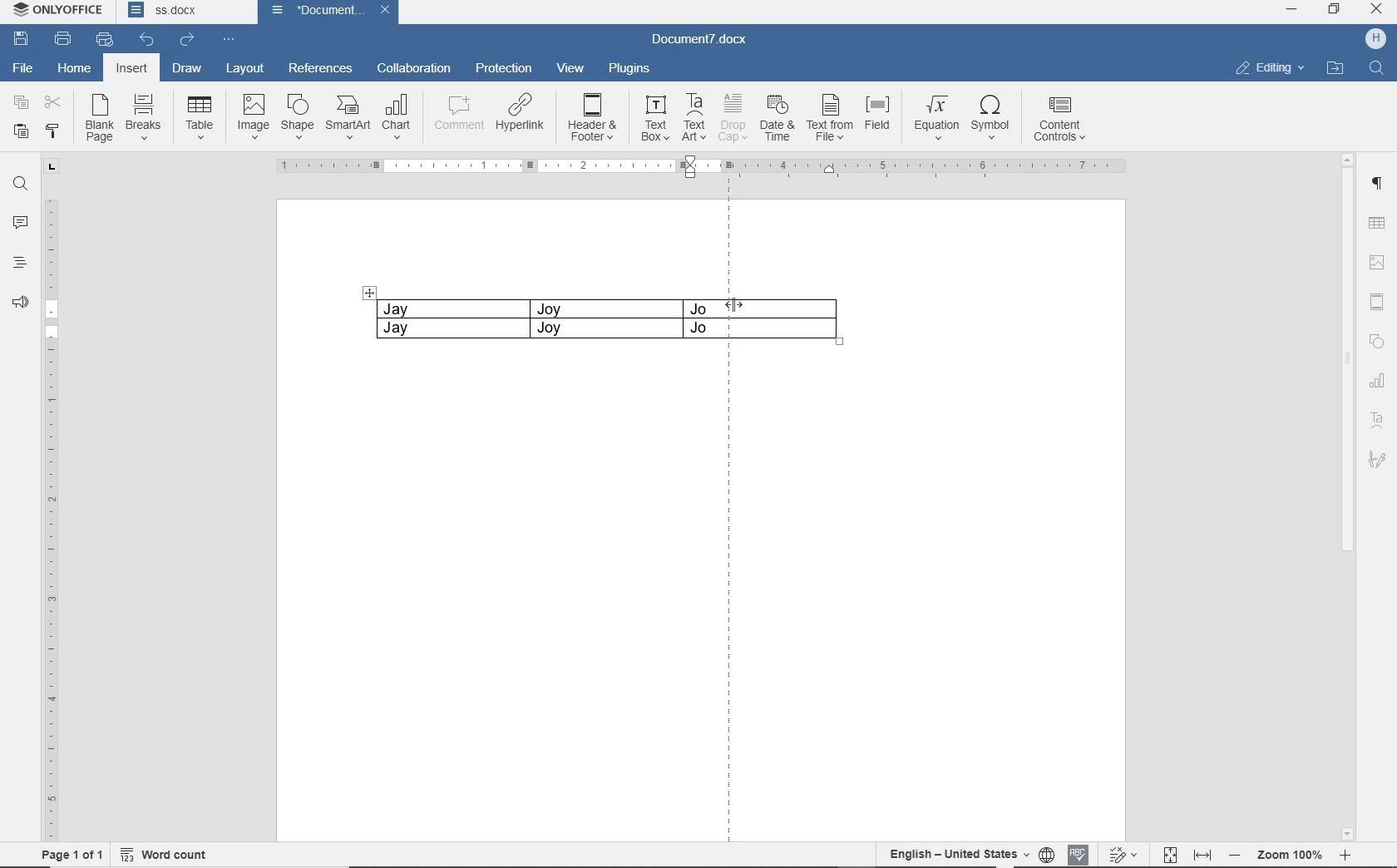  What do you see at coordinates (19, 264) in the screenshot?
I see `HEADINGS` at bounding box center [19, 264].